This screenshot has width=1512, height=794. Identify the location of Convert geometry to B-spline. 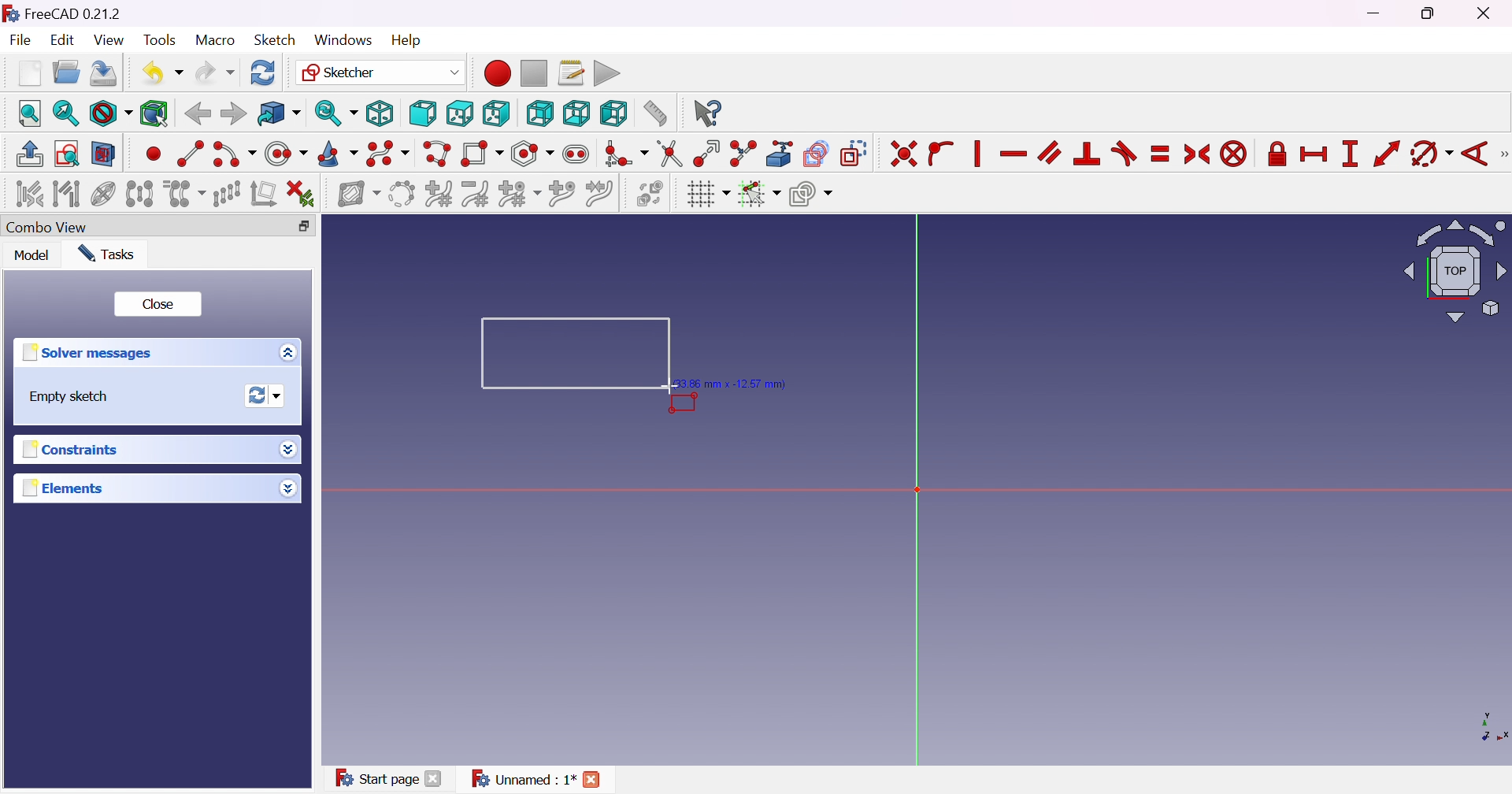
(400, 195).